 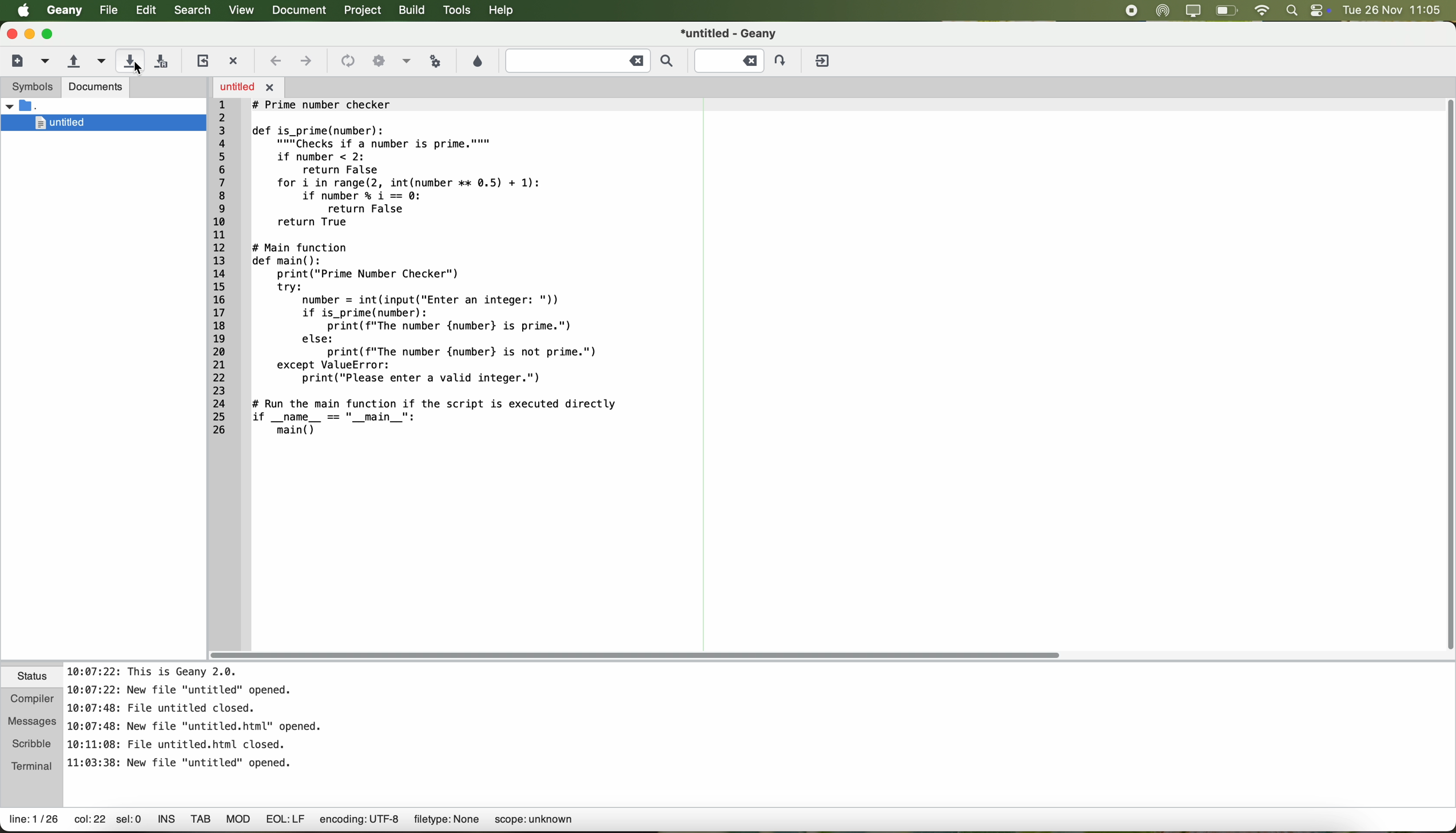 What do you see at coordinates (33, 677) in the screenshot?
I see `status` at bounding box center [33, 677].